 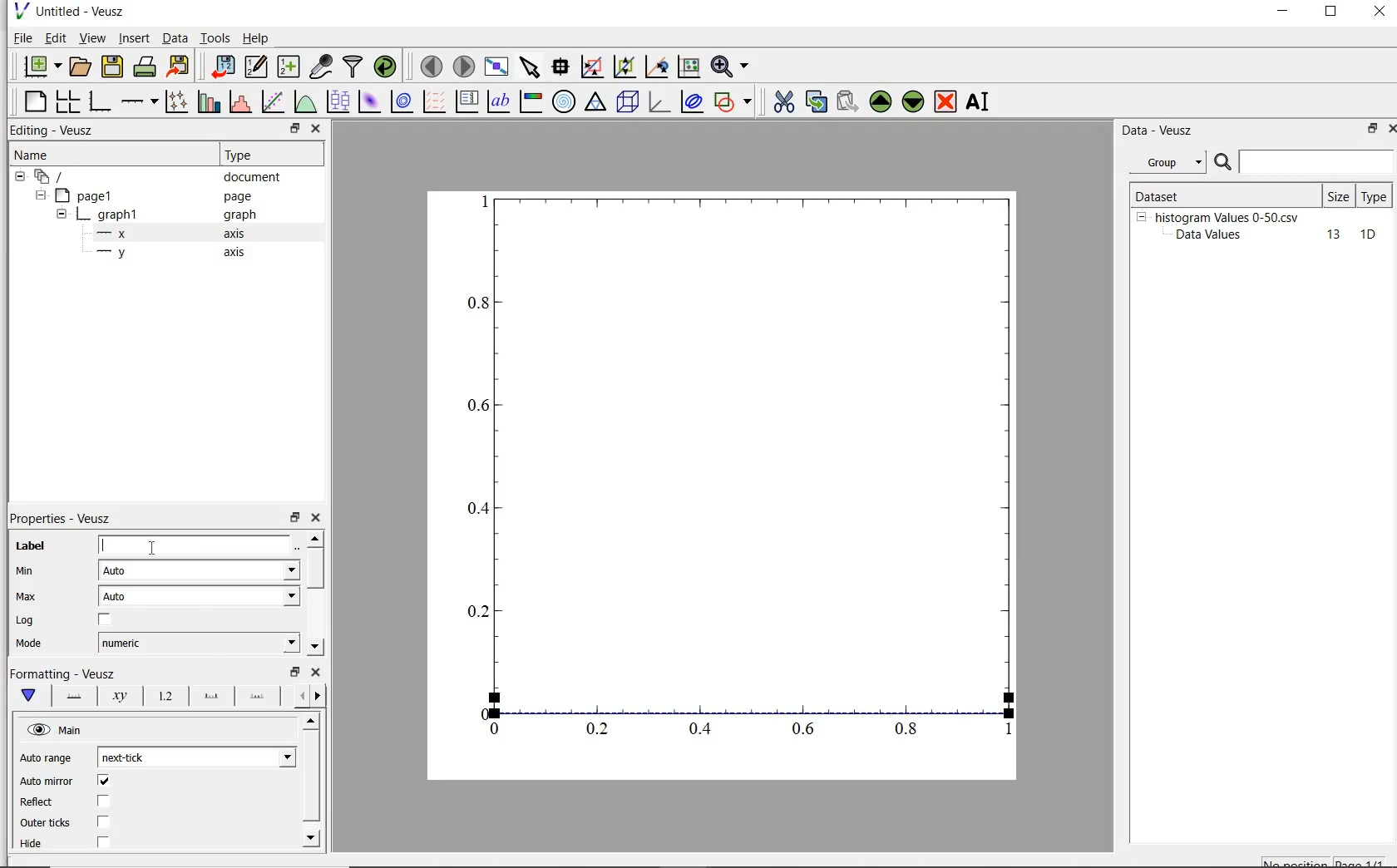 I want to click on arrange graphs in a grid , so click(x=70, y=99).